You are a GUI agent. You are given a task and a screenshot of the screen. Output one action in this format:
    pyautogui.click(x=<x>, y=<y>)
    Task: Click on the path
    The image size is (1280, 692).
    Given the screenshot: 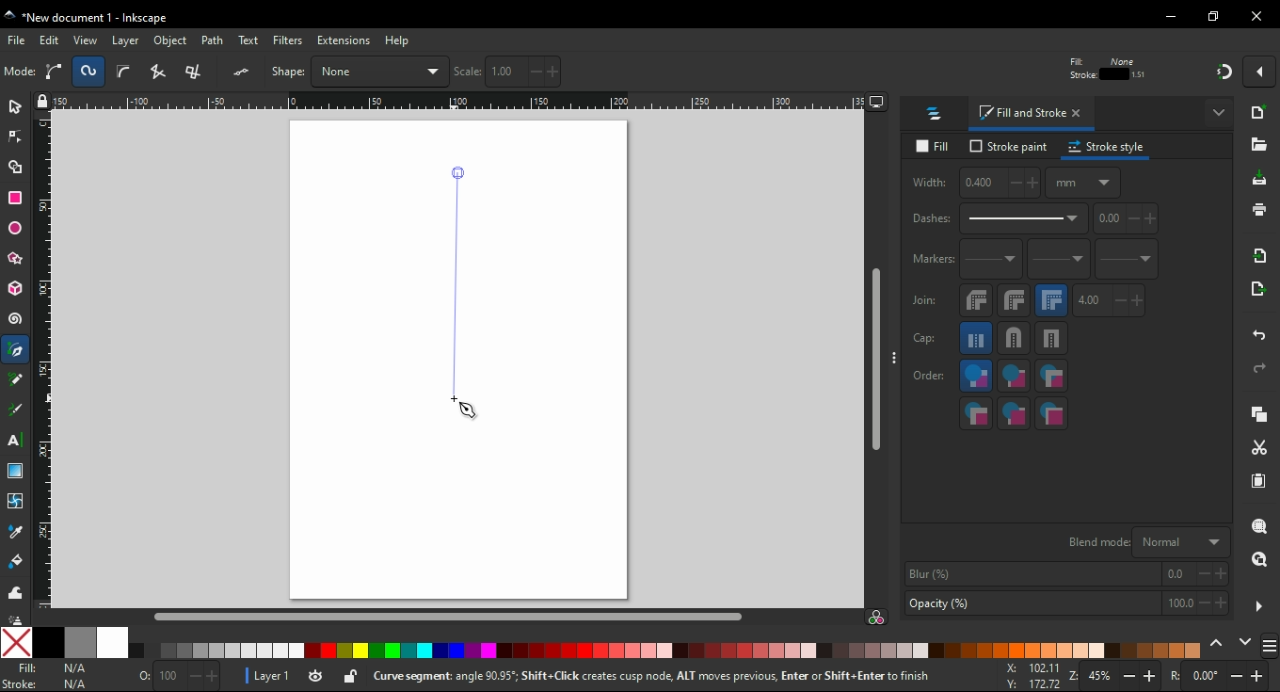 What is the action you would take?
    pyautogui.click(x=214, y=40)
    